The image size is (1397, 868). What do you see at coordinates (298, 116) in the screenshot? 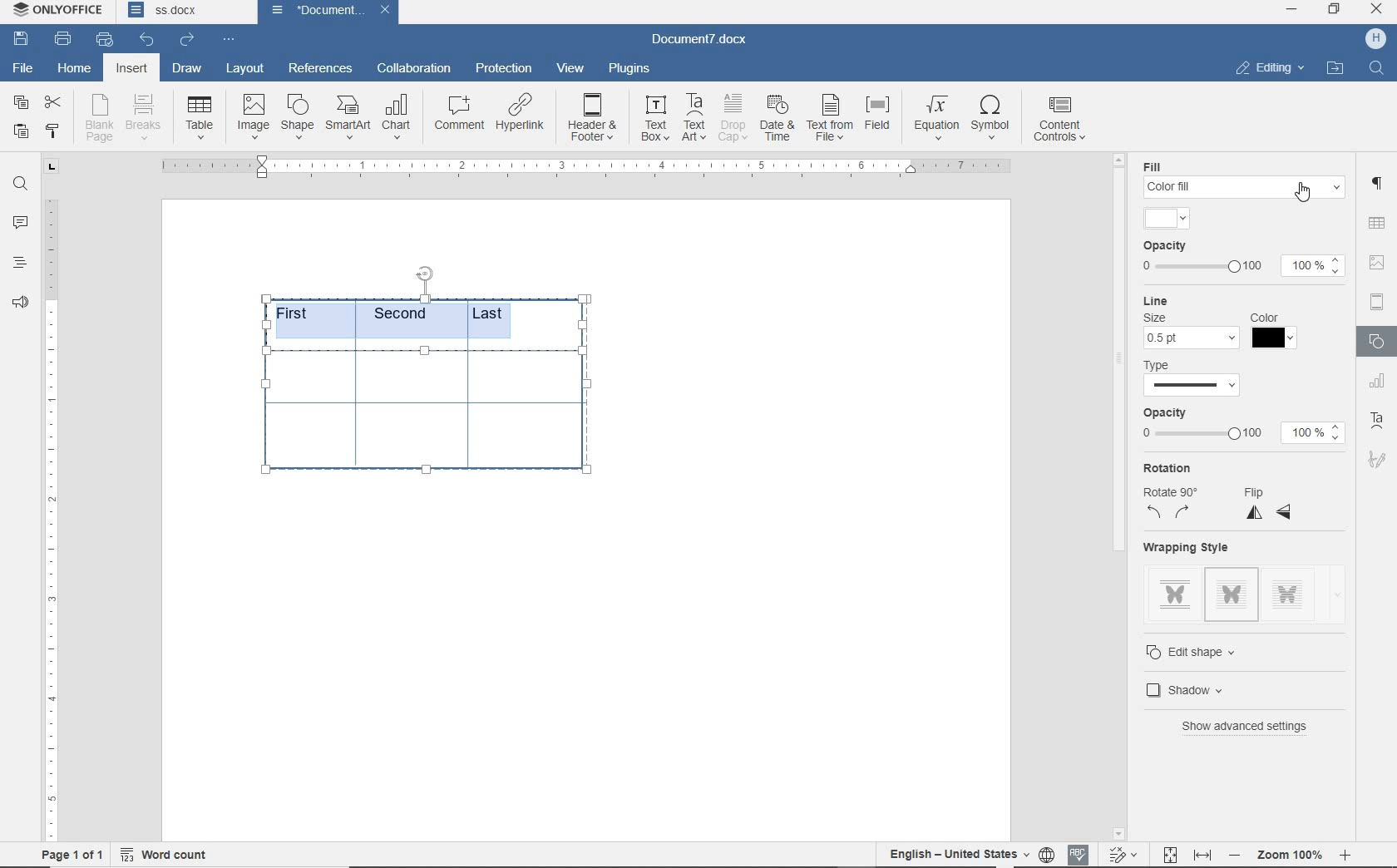
I see `shape` at bounding box center [298, 116].